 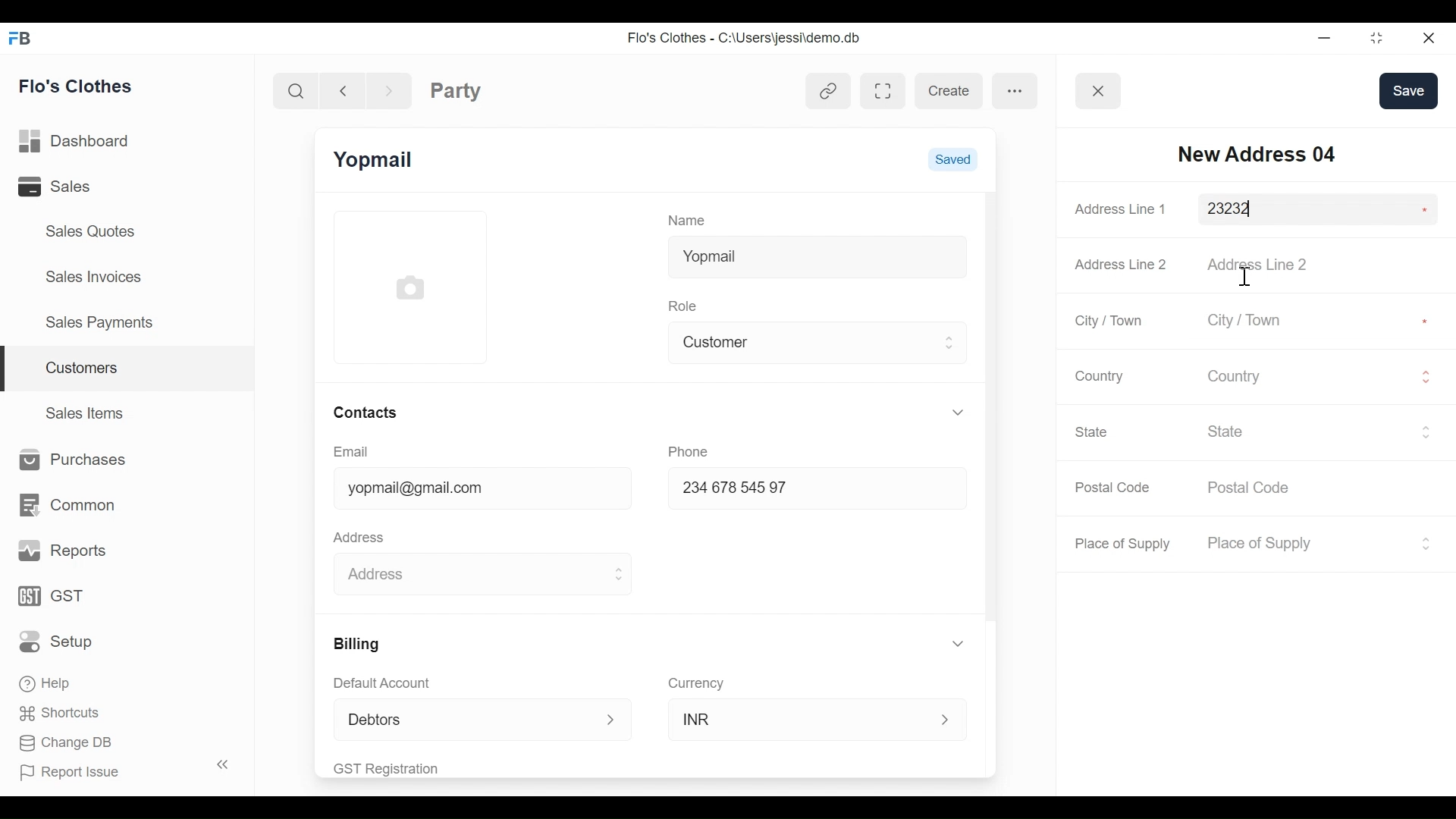 I want to click on Frappe Books Desktop Icon, so click(x=18, y=39).